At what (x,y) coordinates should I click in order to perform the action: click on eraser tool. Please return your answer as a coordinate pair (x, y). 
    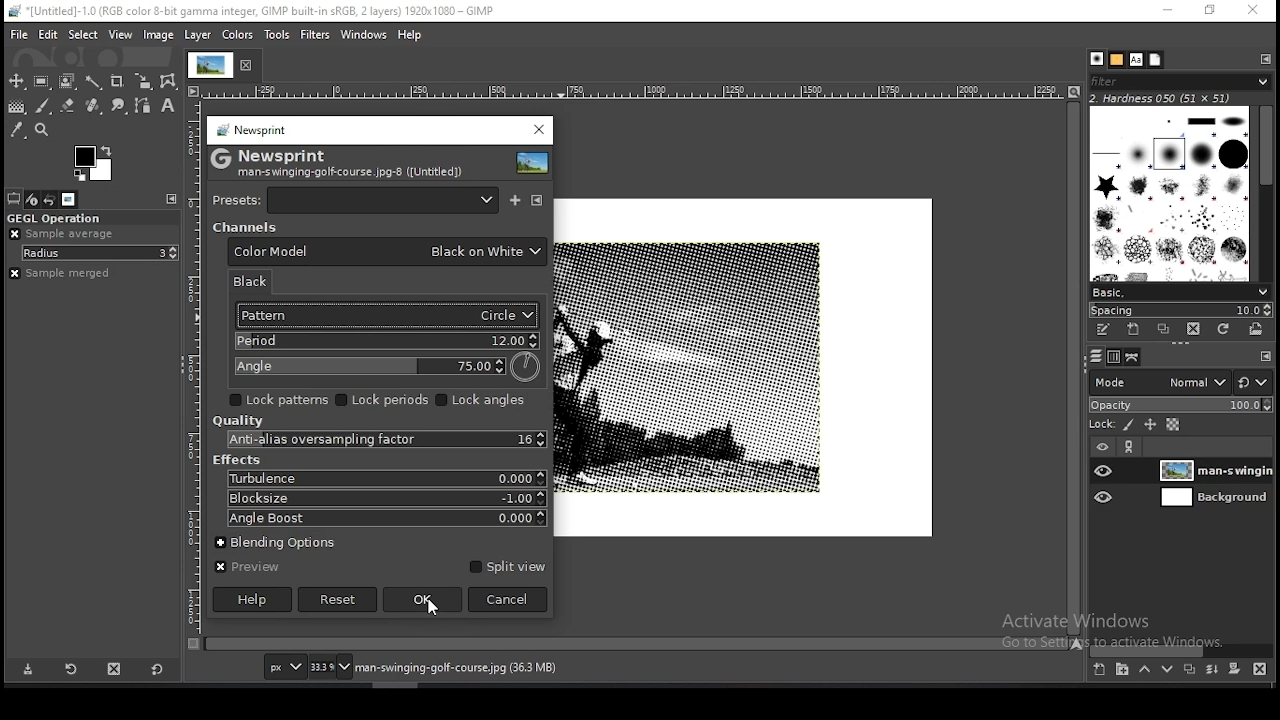
    Looking at the image, I should click on (68, 107).